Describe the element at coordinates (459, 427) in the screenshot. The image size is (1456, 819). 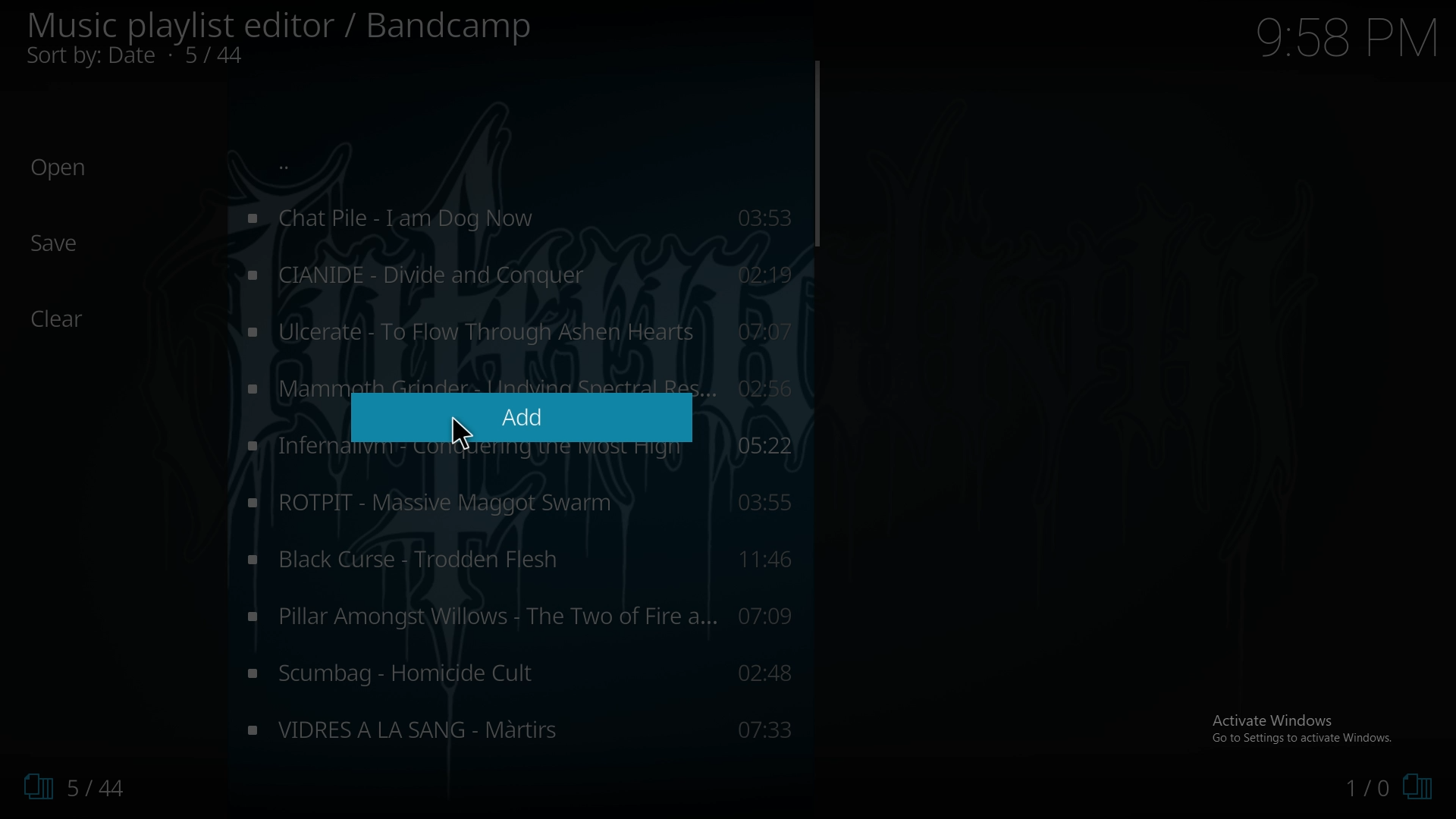
I see `Pointer Cursor` at that location.